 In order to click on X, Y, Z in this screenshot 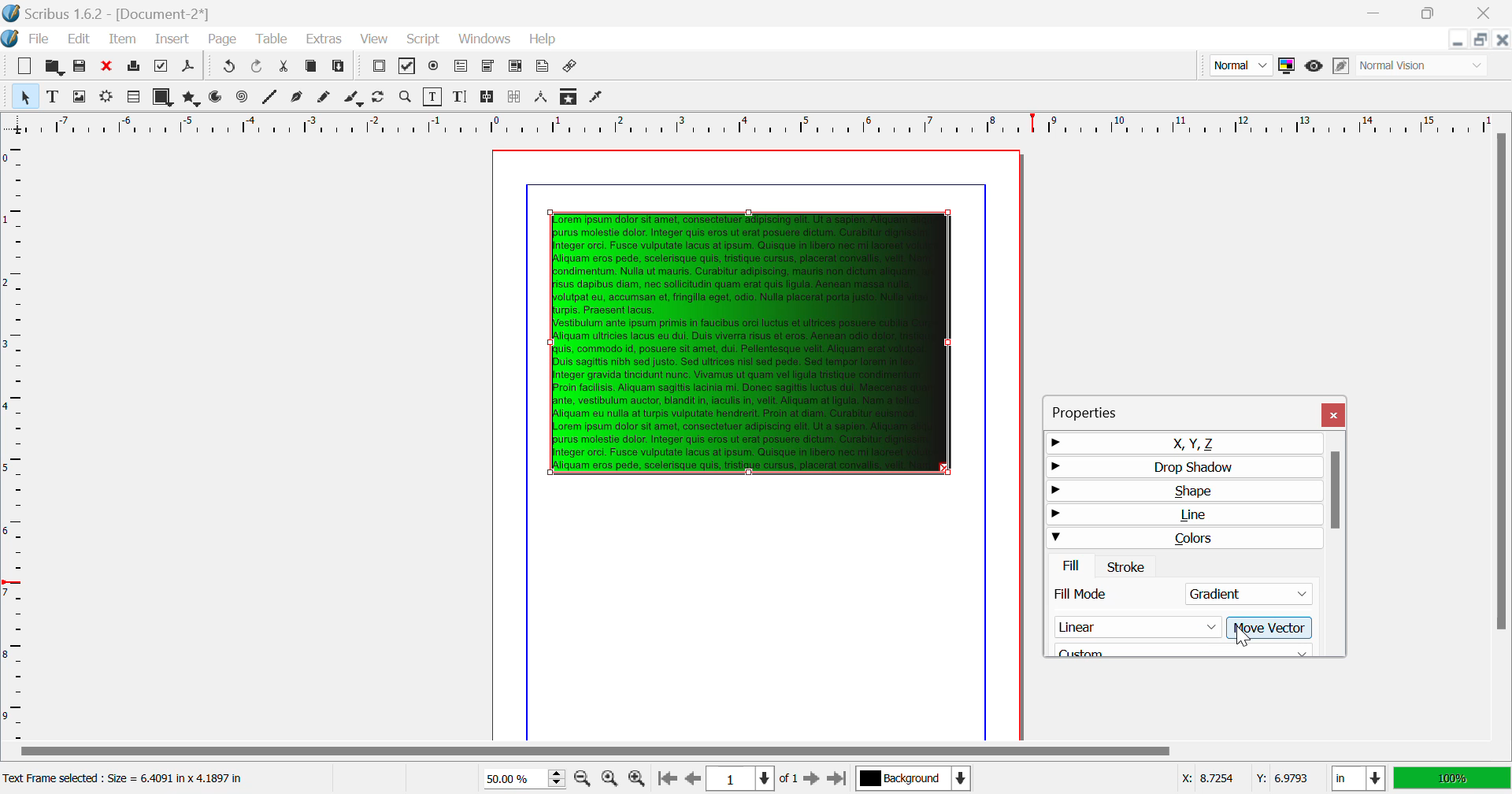, I will do `click(1182, 443)`.